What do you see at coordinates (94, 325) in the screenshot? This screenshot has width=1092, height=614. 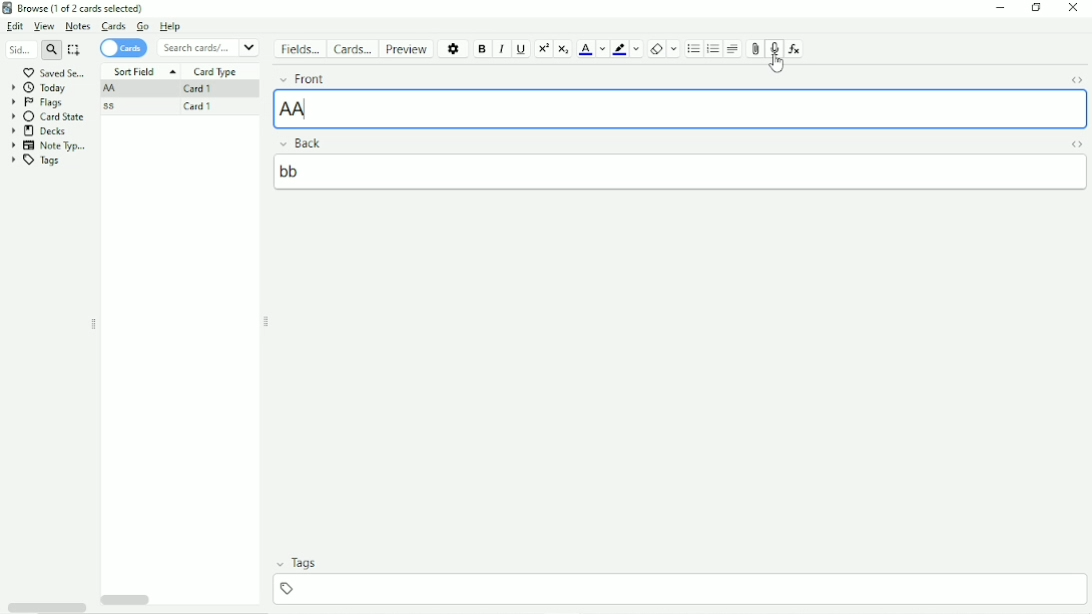 I see `Resize` at bounding box center [94, 325].